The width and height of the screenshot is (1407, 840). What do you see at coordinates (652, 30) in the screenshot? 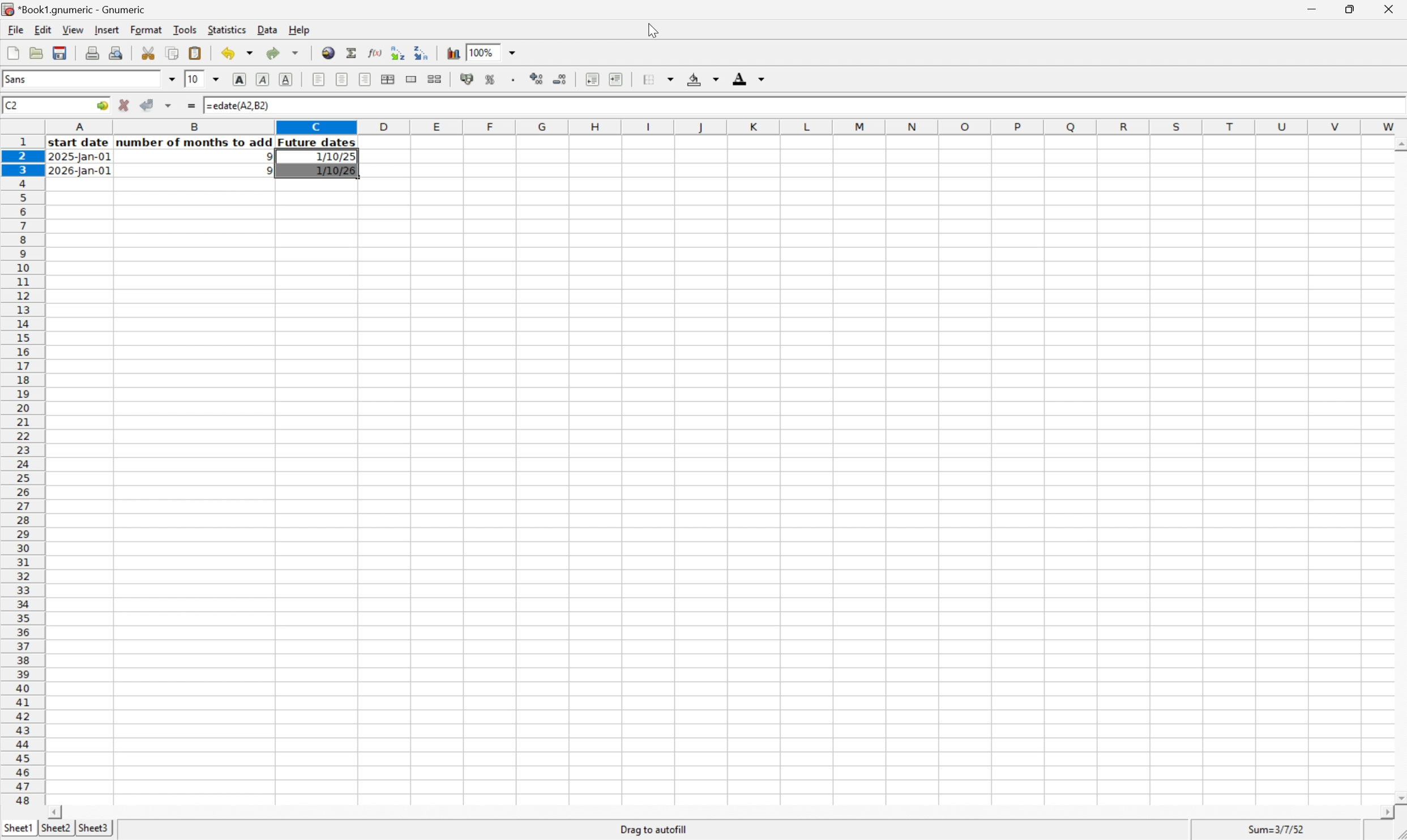
I see `Cursor` at bounding box center [652, 30].